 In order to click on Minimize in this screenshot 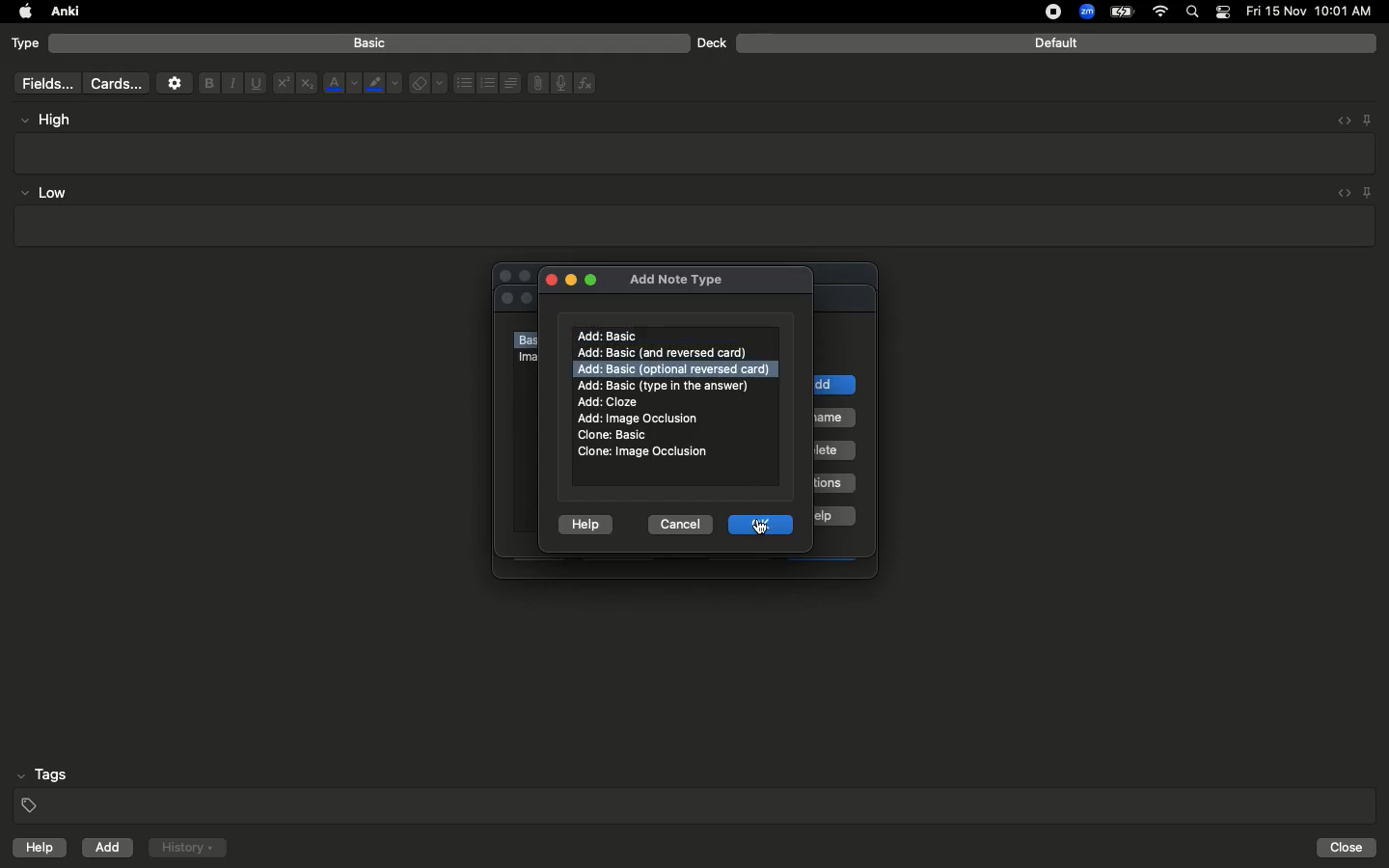, I will do `click(569, 281)`.